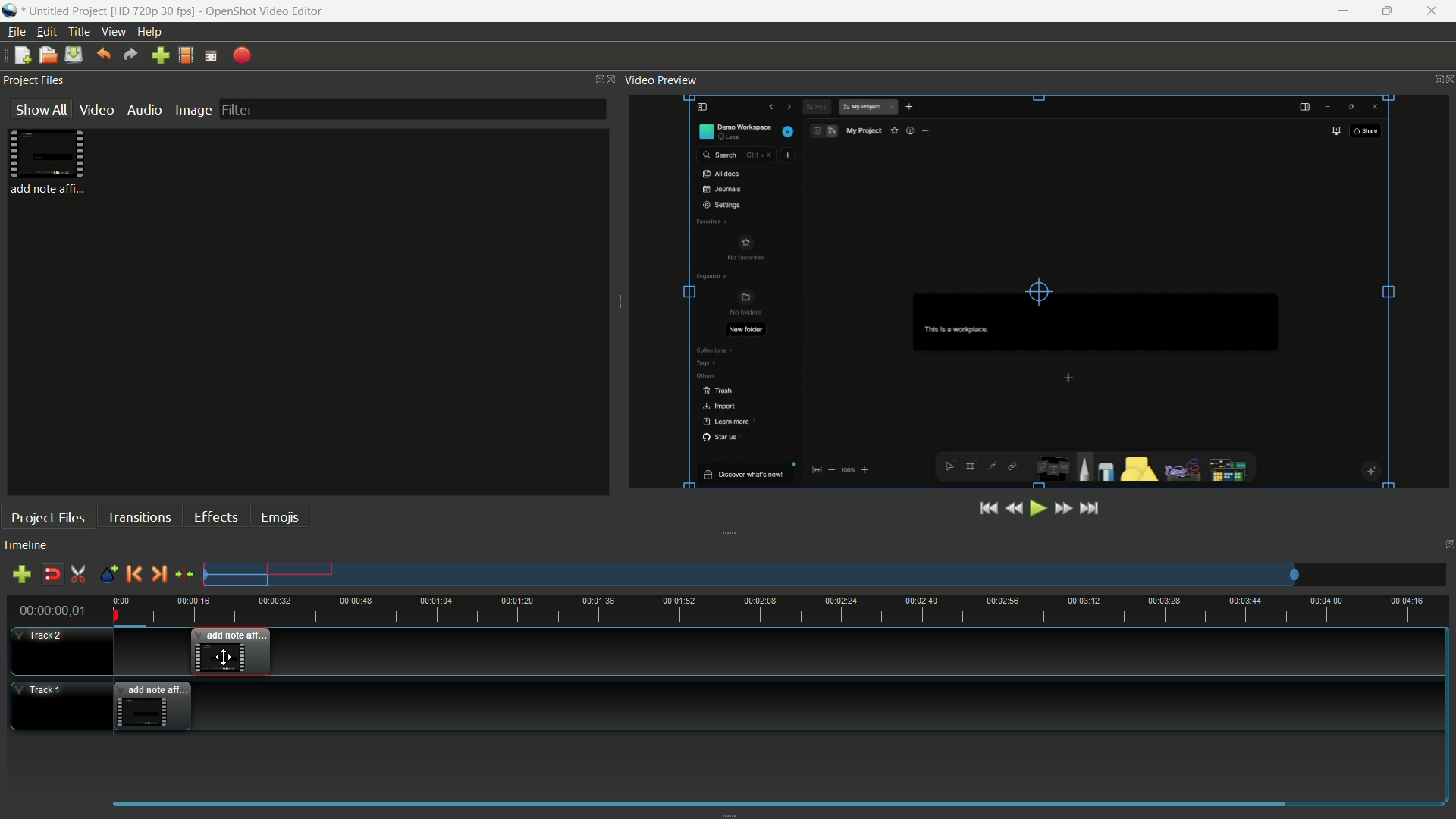  Describe the element at coordinates (78, 574) in the screenshot. I see `enable razor` at that location.